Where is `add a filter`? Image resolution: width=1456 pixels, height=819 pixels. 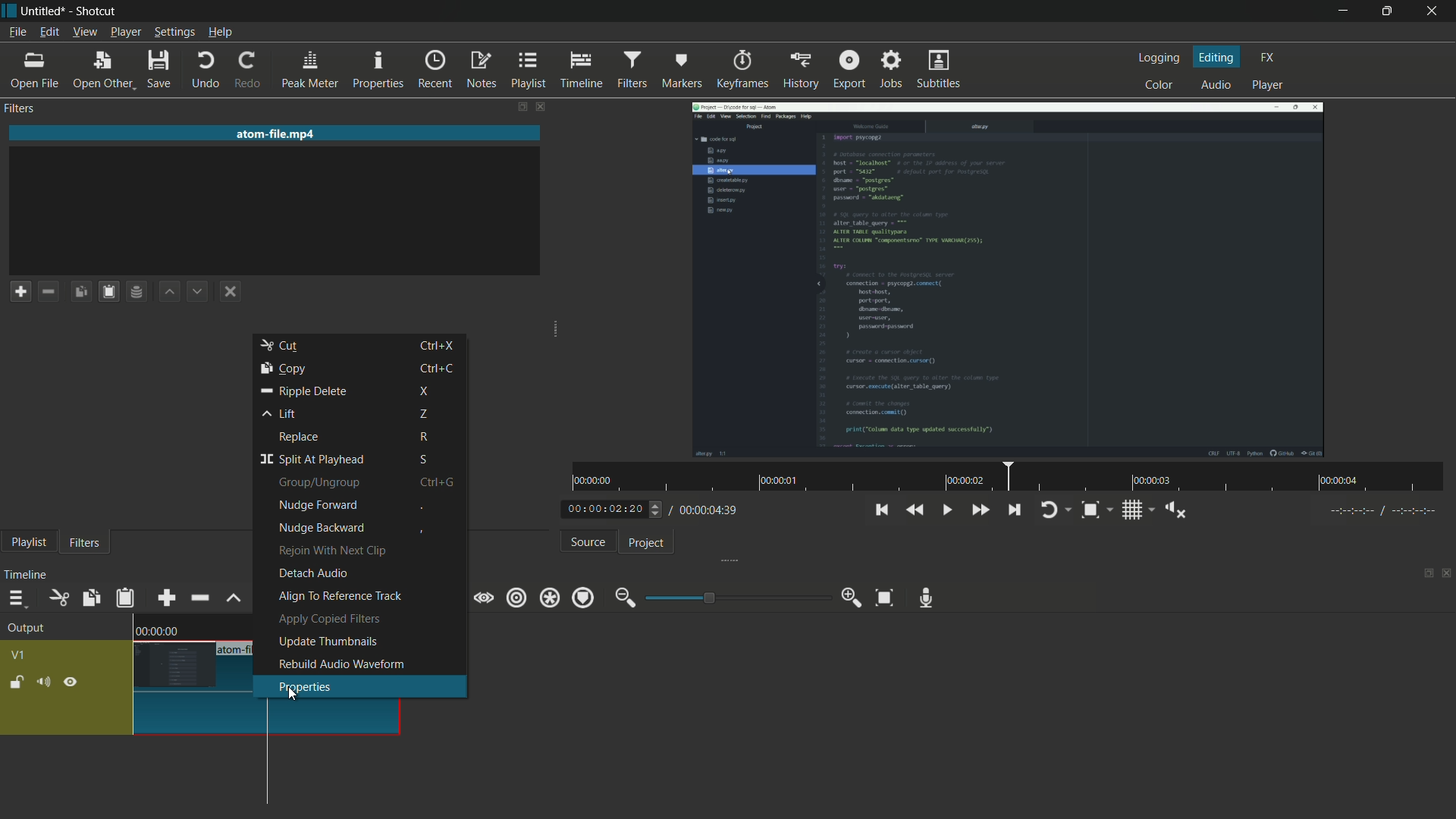
add a filter is located at coordinates (17, 294).